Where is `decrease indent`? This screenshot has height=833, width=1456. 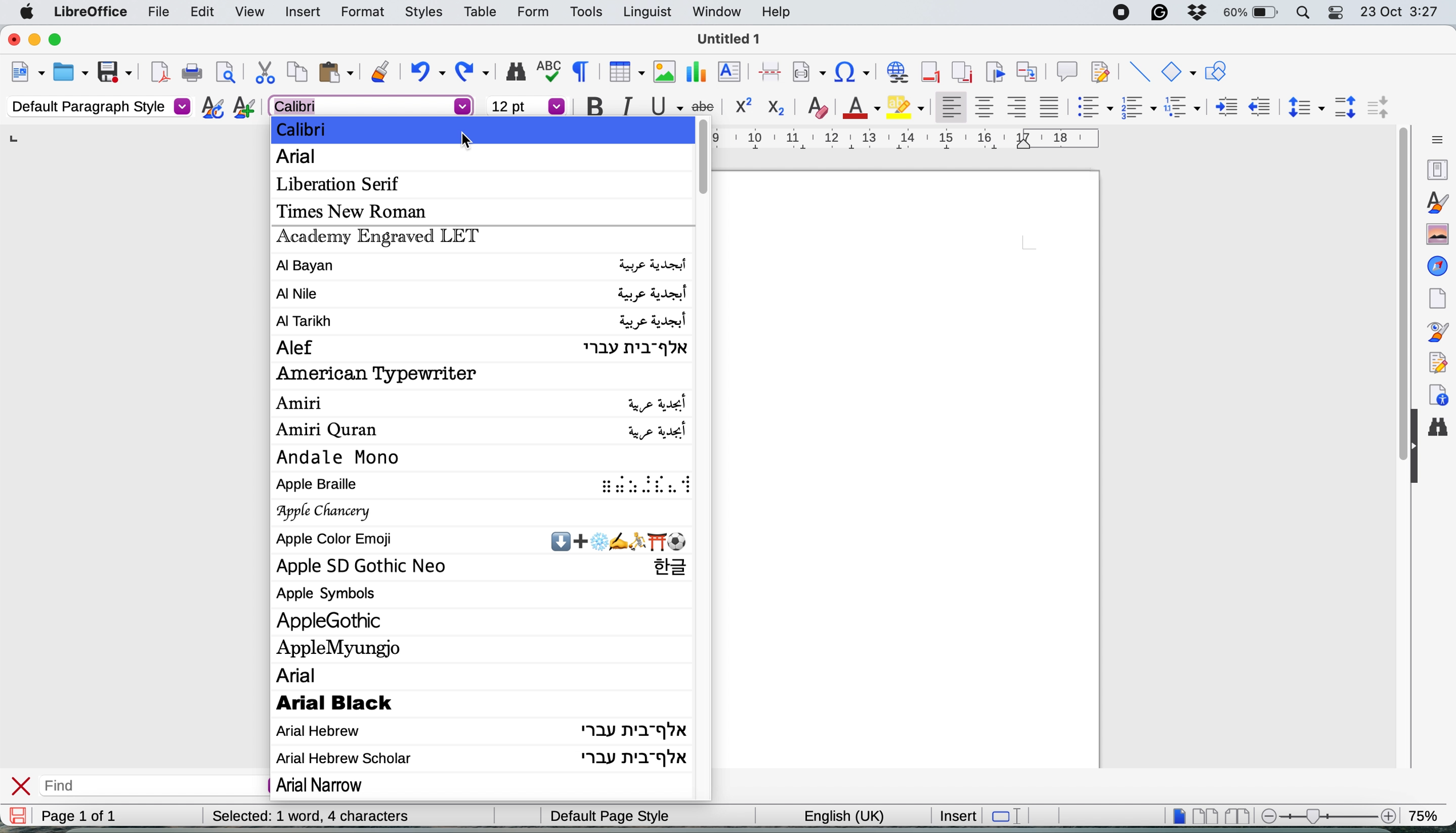
decrease indent is located at coordinates (1258, 107).